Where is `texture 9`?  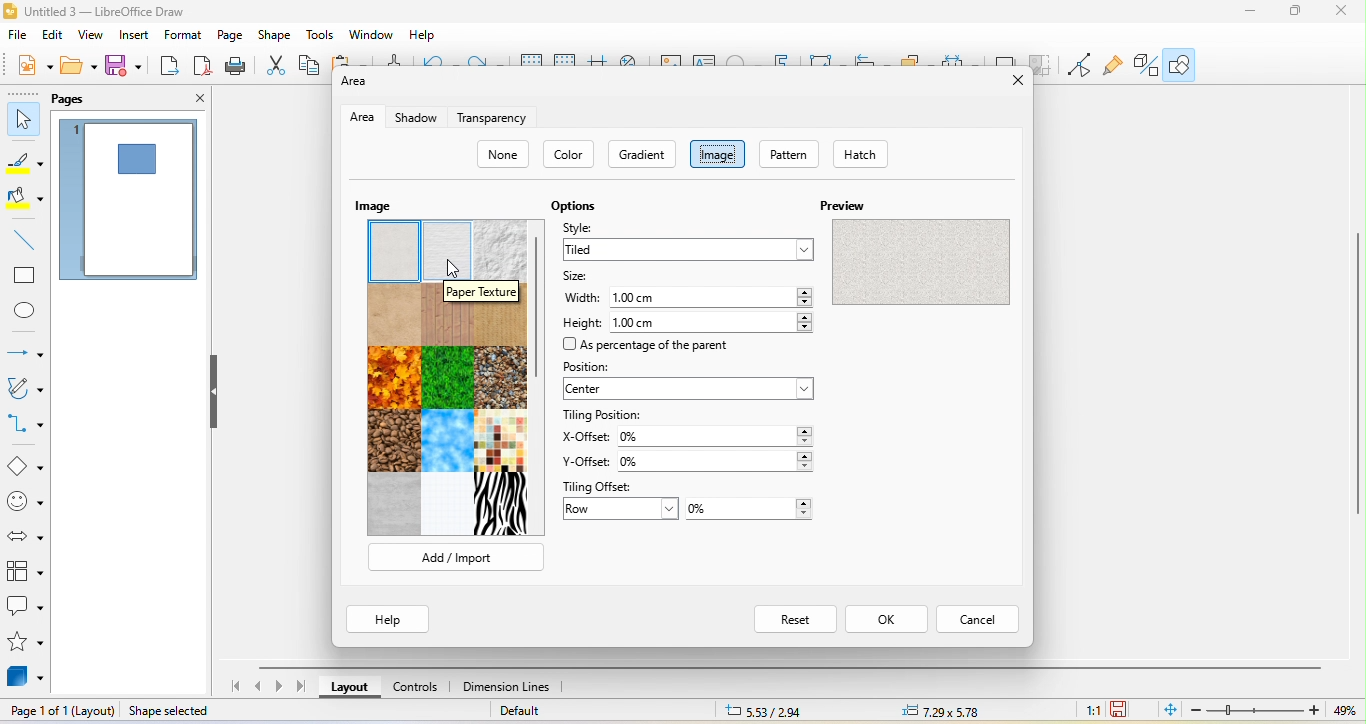
texture 9 is located at coordinates (502, 376).